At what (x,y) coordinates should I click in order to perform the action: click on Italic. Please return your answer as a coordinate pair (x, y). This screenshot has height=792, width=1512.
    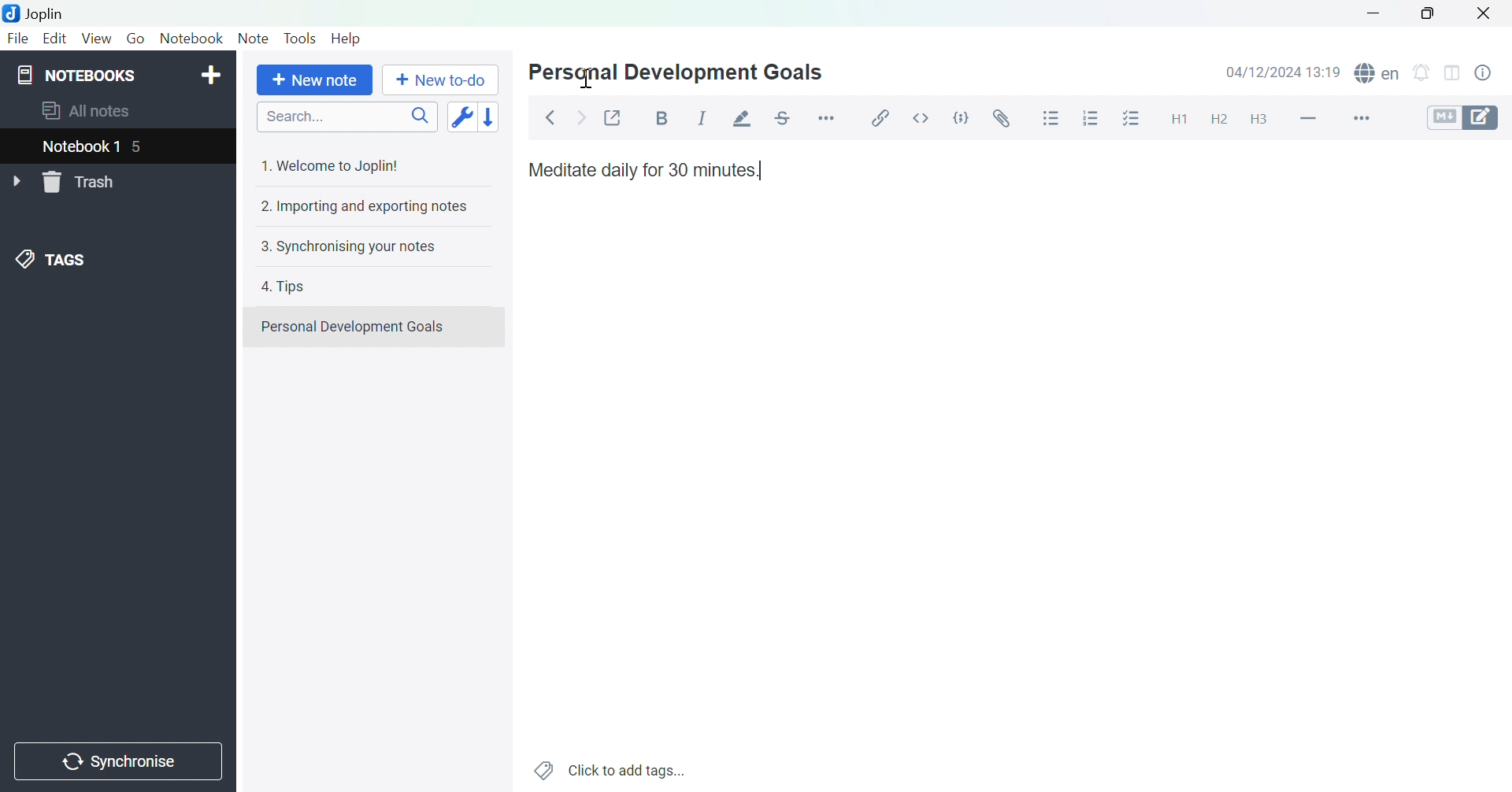
    Looking at the image, I should click on (702, 117).